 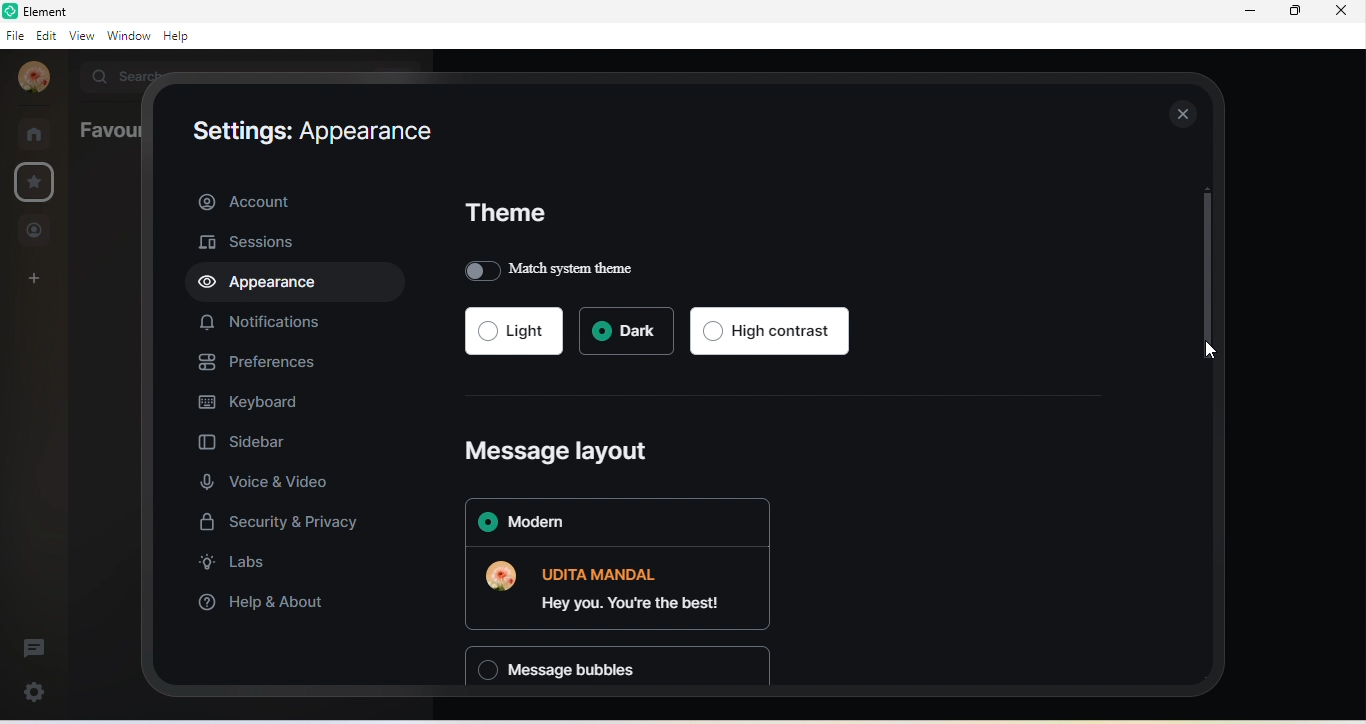 What do you see at coordinates (37, 183) in the screenshot?
I see `favourites` at bounding box center [37, 183].